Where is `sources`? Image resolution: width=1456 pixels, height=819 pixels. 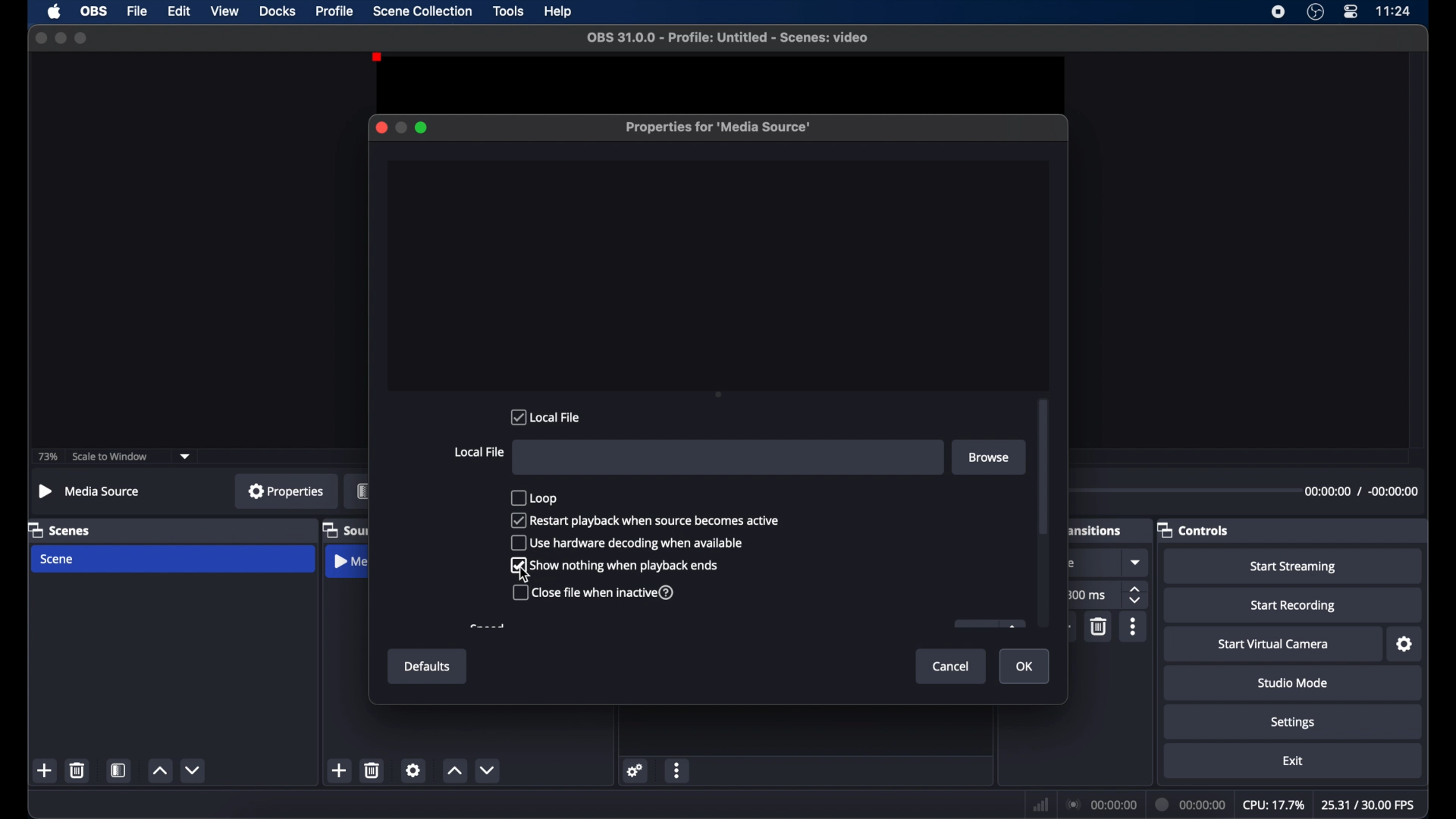 sources is located at coordinates (344, 529).